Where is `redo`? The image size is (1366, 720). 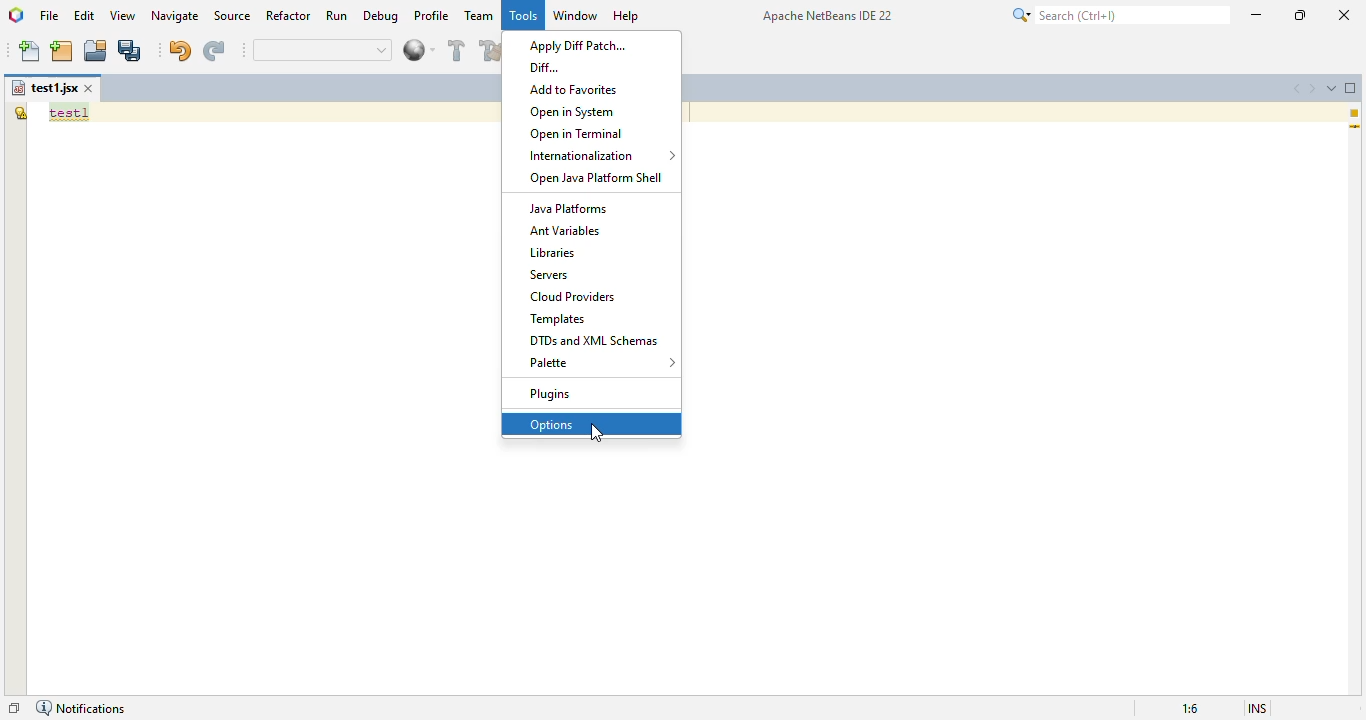 redo is located at coordinates (213, 51).